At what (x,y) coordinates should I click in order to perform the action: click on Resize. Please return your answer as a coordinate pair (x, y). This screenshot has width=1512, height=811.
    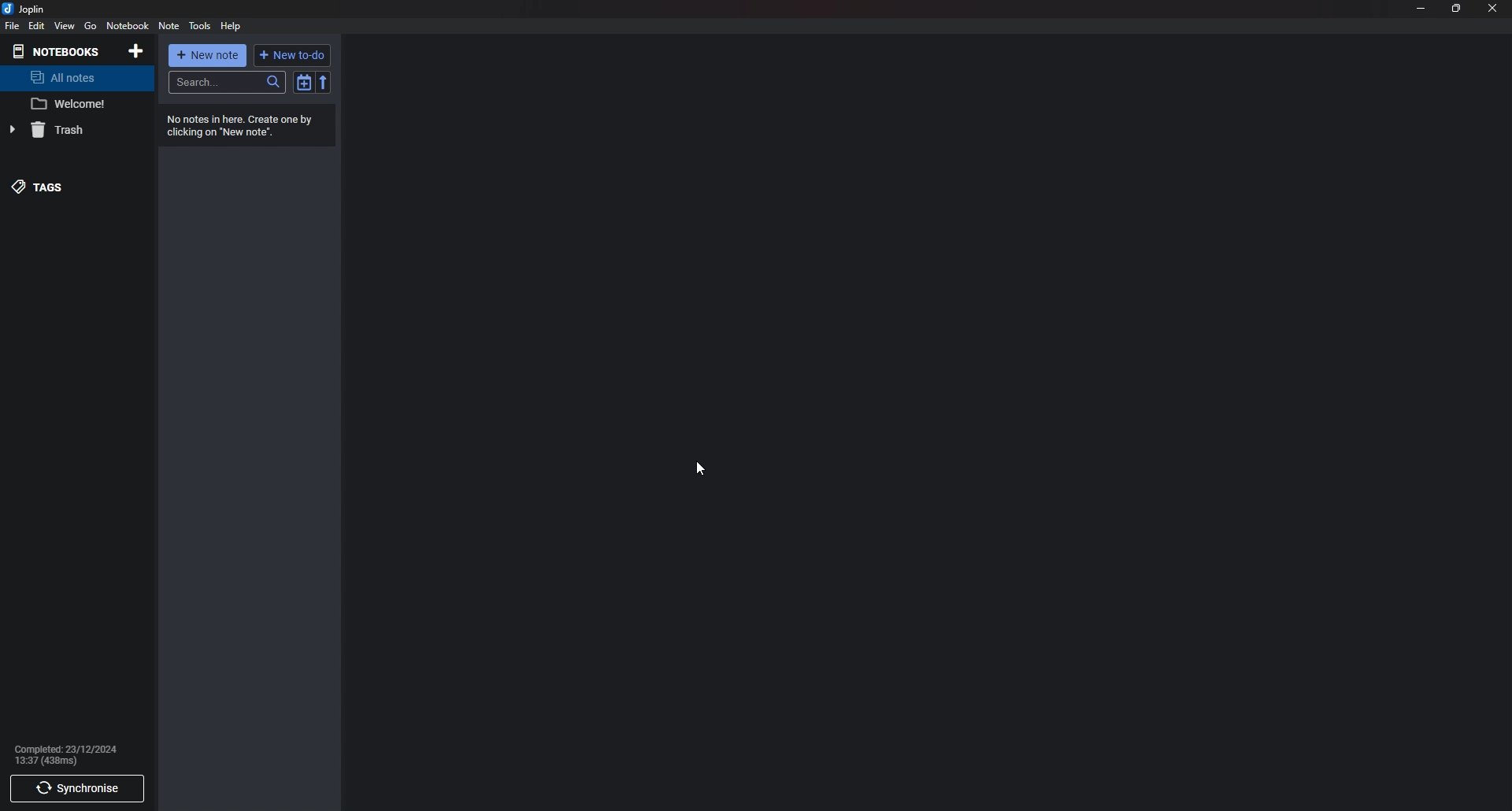
    Looking at the image, I should click on (1458, 9).